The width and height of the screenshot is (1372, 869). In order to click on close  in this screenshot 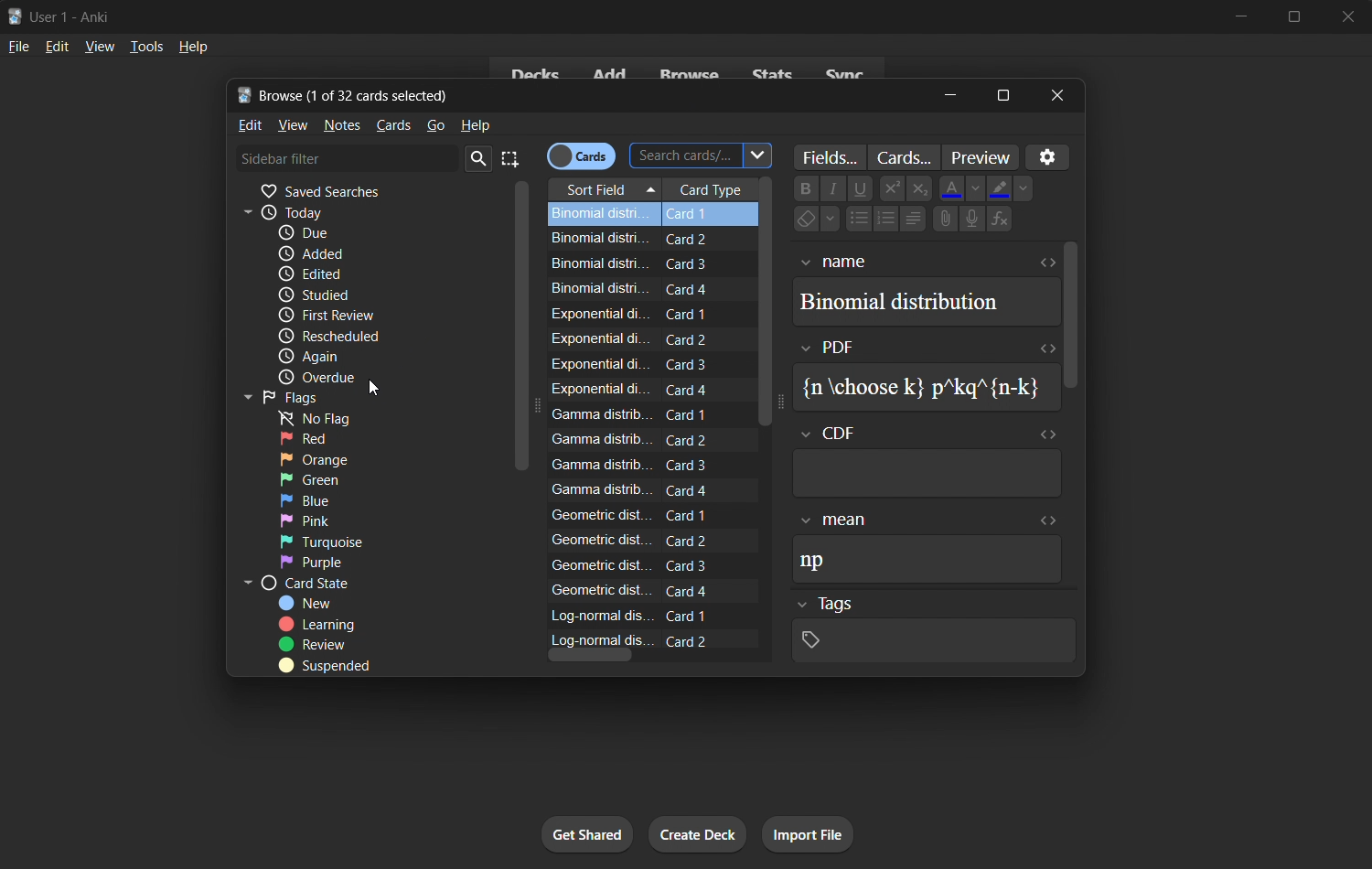, I will do `click(1345, 16)`.